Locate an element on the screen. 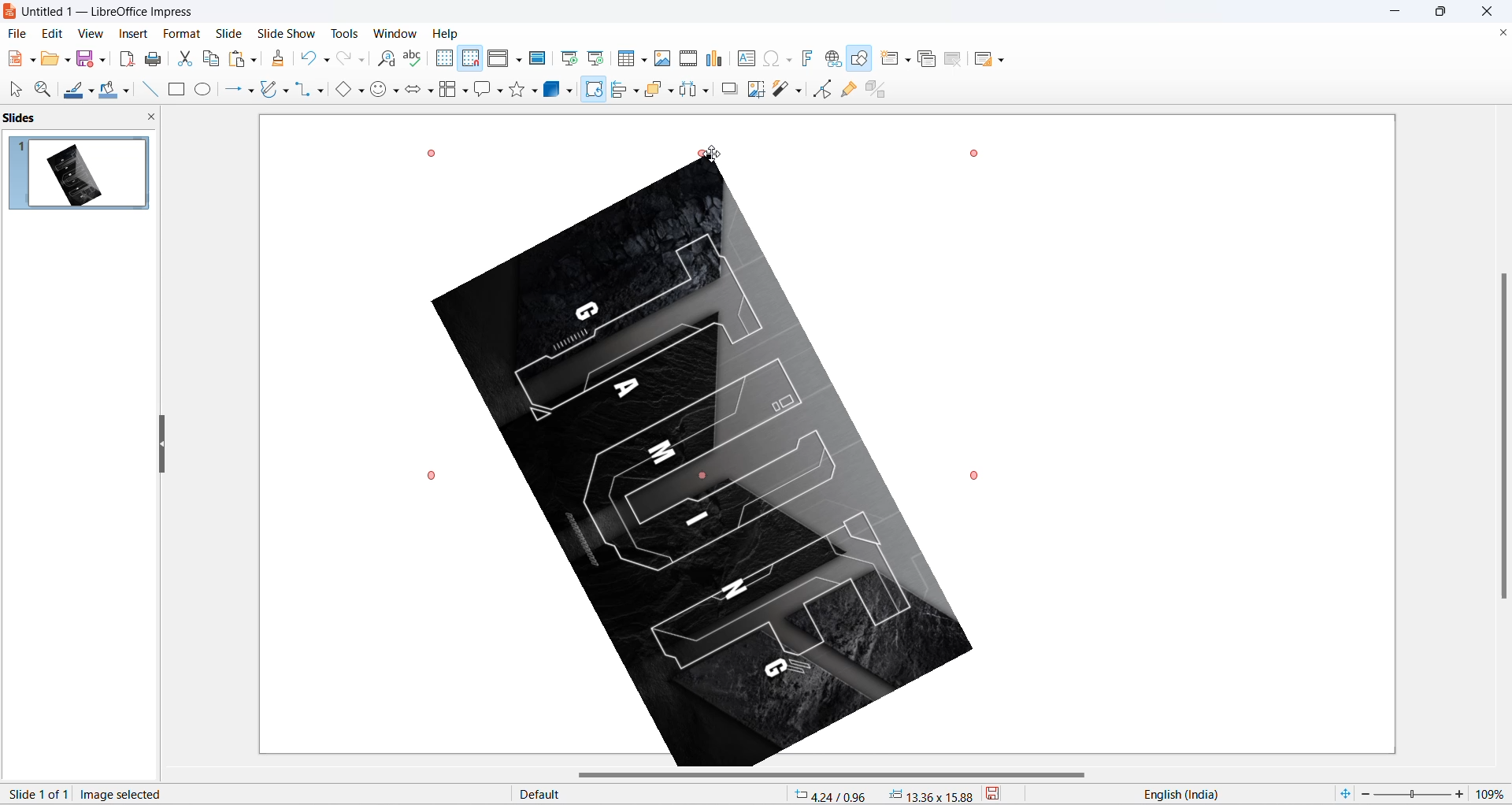 The image size is (1512, 805). insert hyperlink is located at coordinates (835, 60).